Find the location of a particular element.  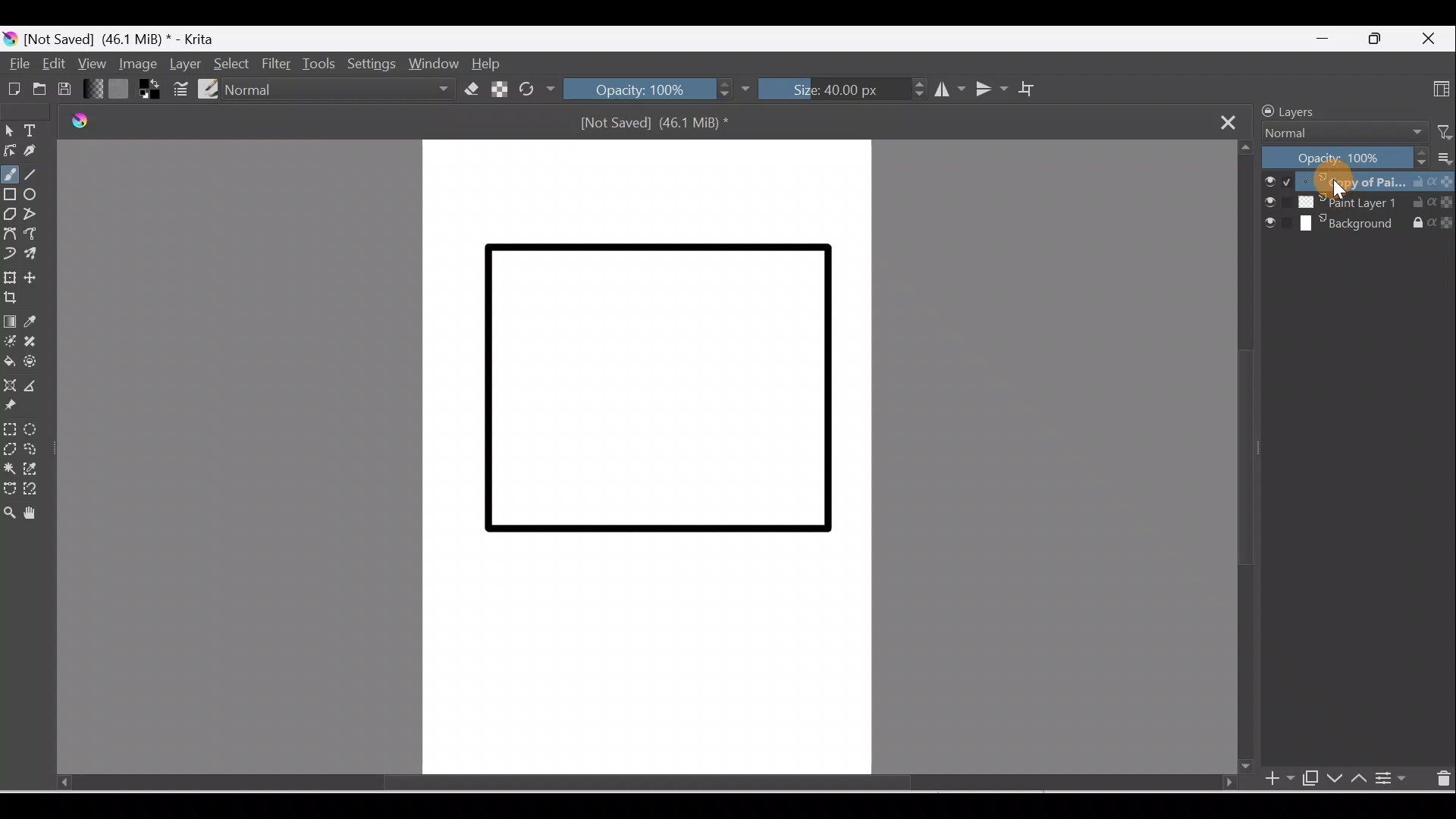

Delete layer/mask is located at coordinates (1442, 780).